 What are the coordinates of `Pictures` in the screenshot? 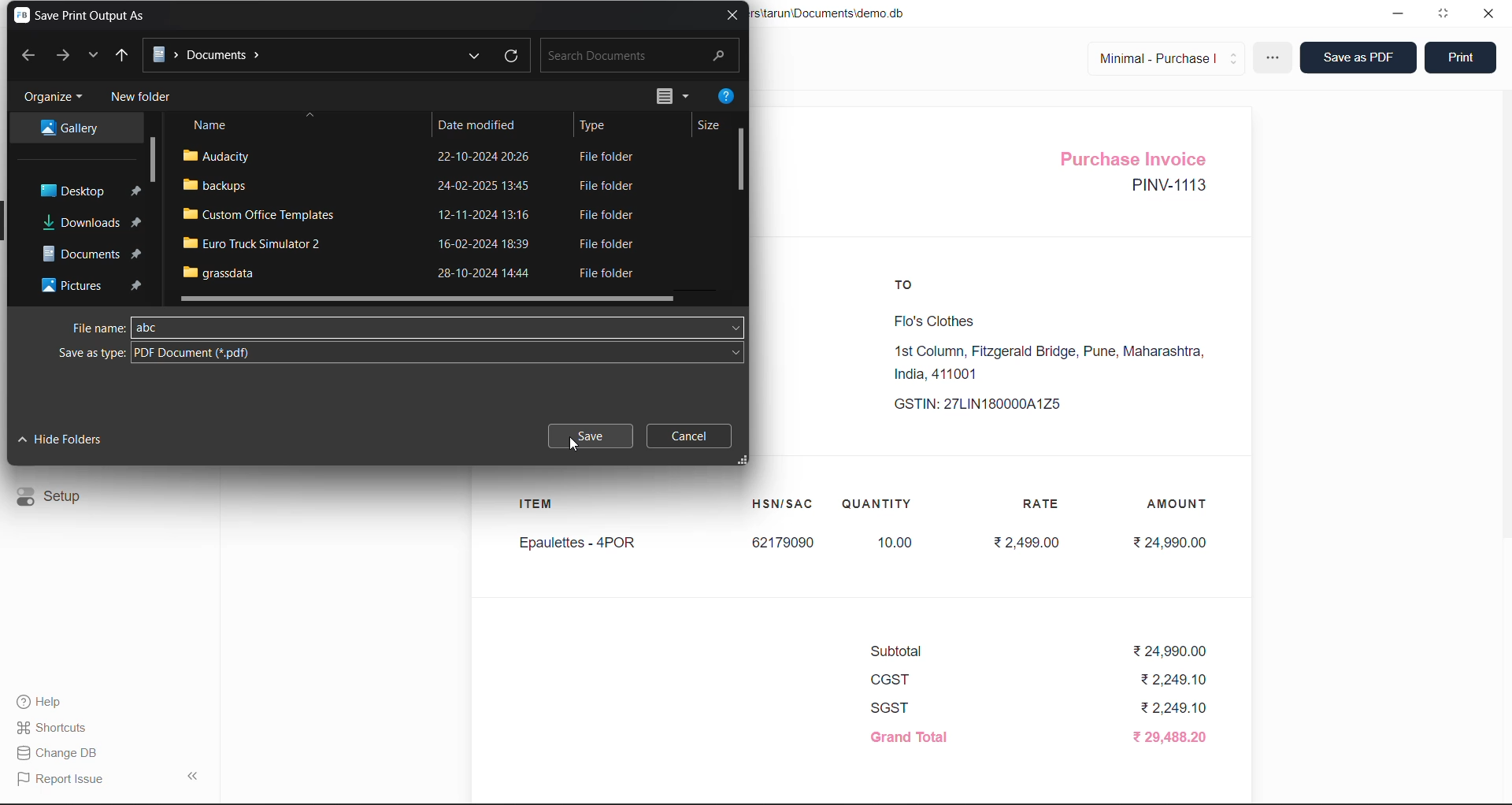 It's located at (92, 284).